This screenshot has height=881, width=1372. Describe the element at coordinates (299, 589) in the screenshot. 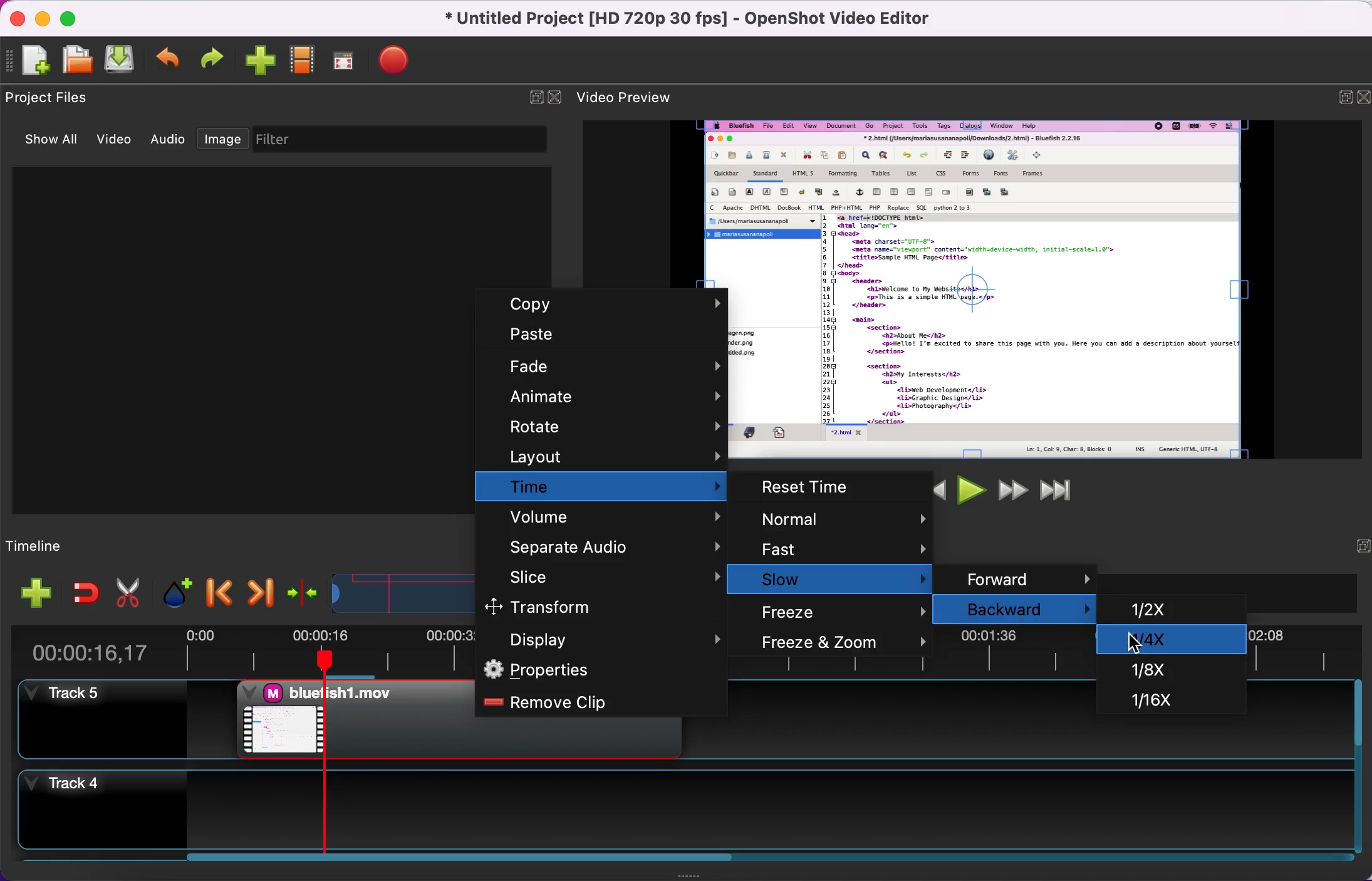

I see `center the timeline` at that location.